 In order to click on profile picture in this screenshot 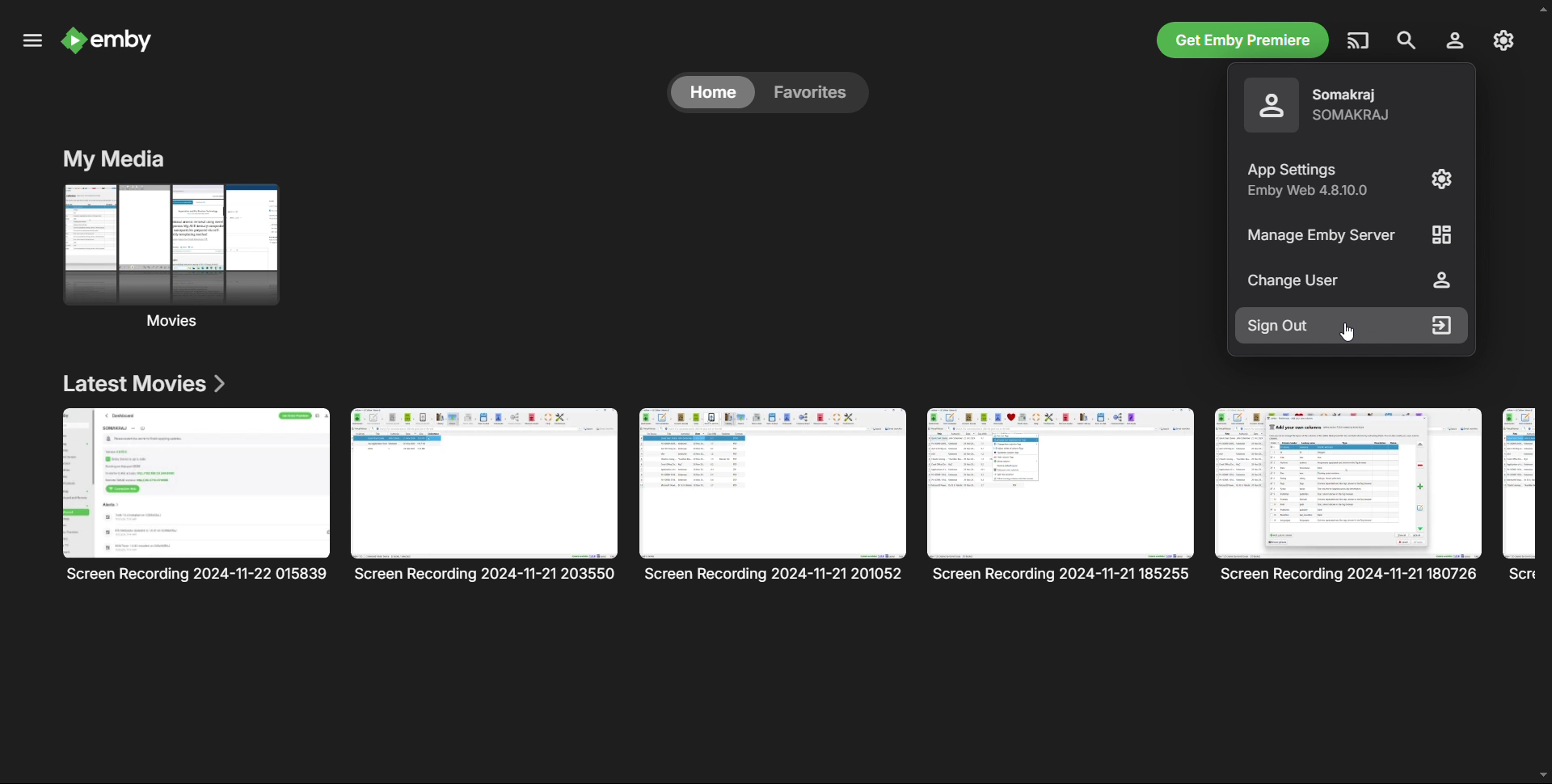, I will do `click(1269, 105)`.